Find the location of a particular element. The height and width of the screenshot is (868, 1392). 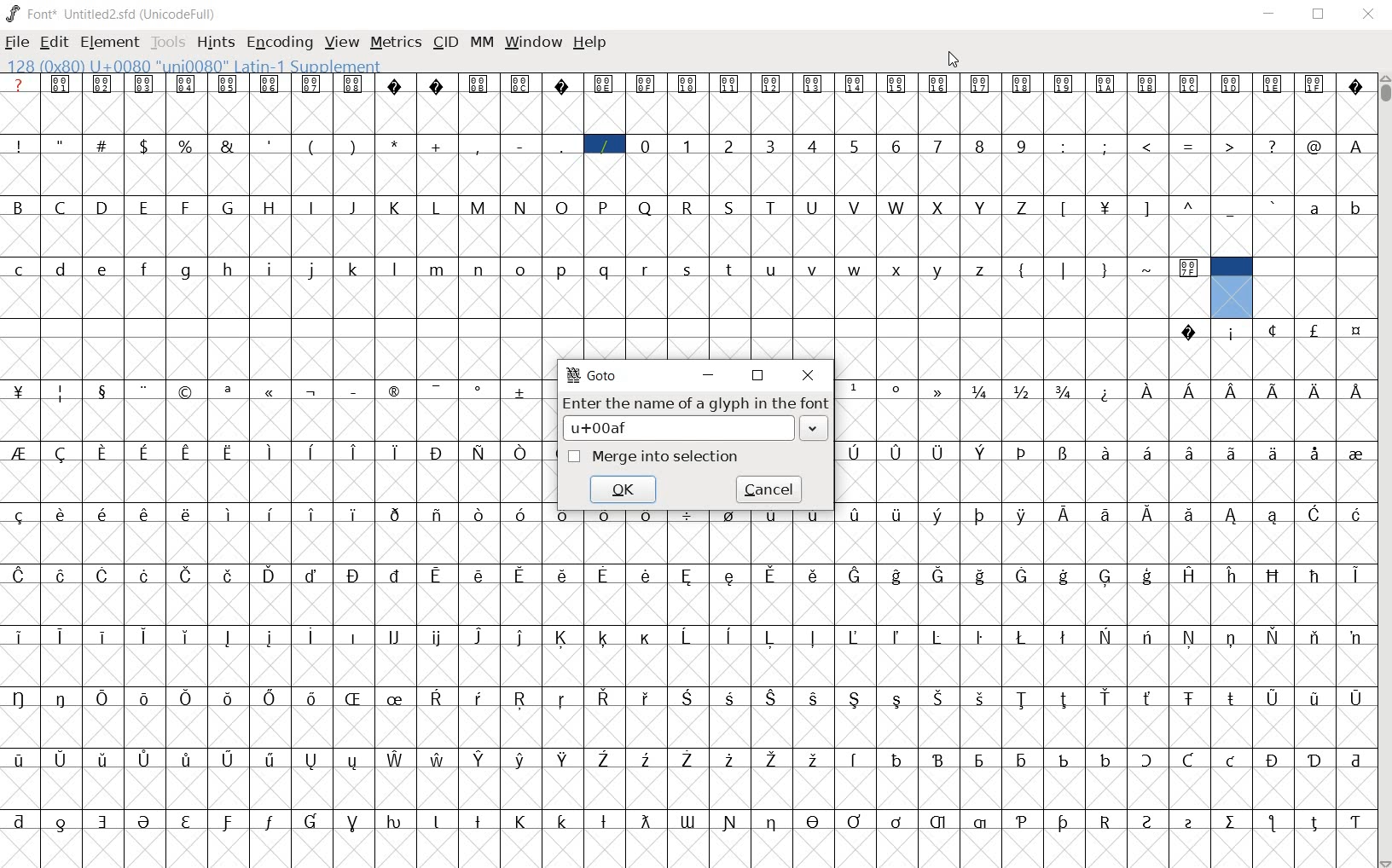

Symbol is located at coordinates (1314, 822).